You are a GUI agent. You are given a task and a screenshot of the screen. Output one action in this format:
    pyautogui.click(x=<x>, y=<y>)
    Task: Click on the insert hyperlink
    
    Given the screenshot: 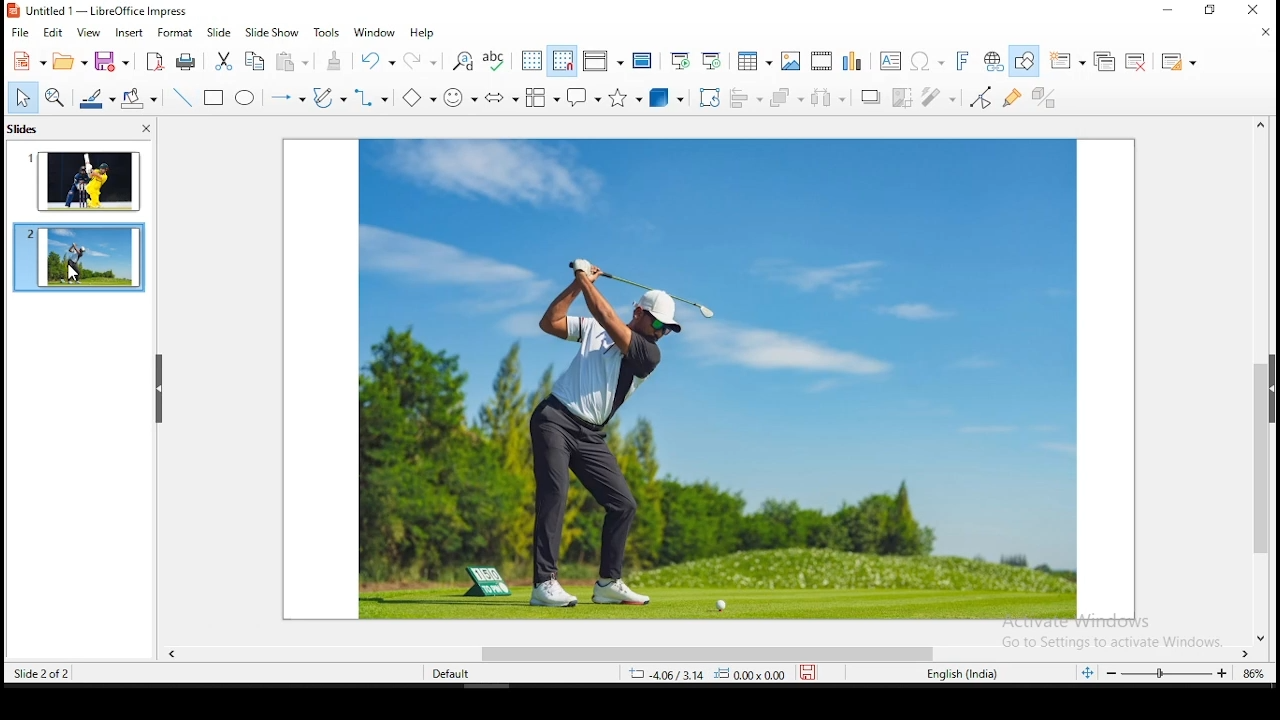 What is the action you would take?
    pyautogui.click(x=991, y=61)
    